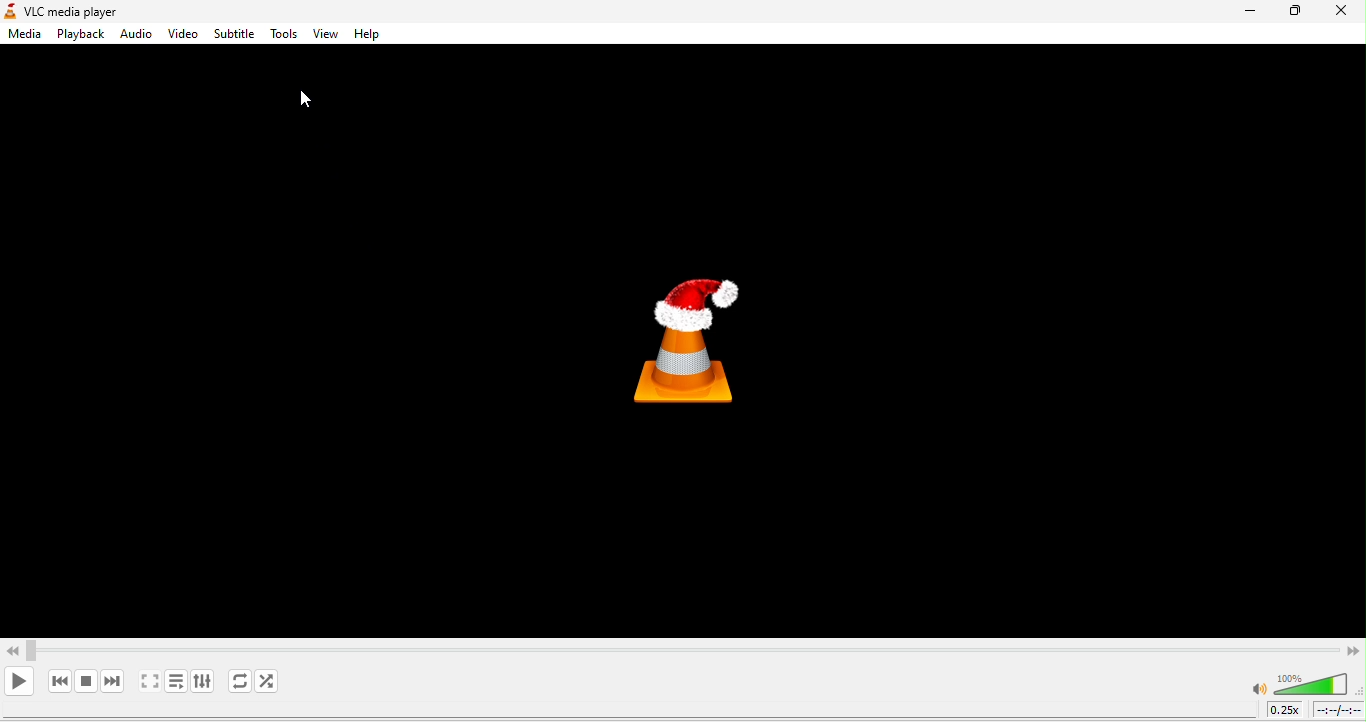 This screenshot has width=1366, height=722. What do you see at coordinates (87, 680) in the screenshot?
I see `stop playback` at bounding box center [87, 680].